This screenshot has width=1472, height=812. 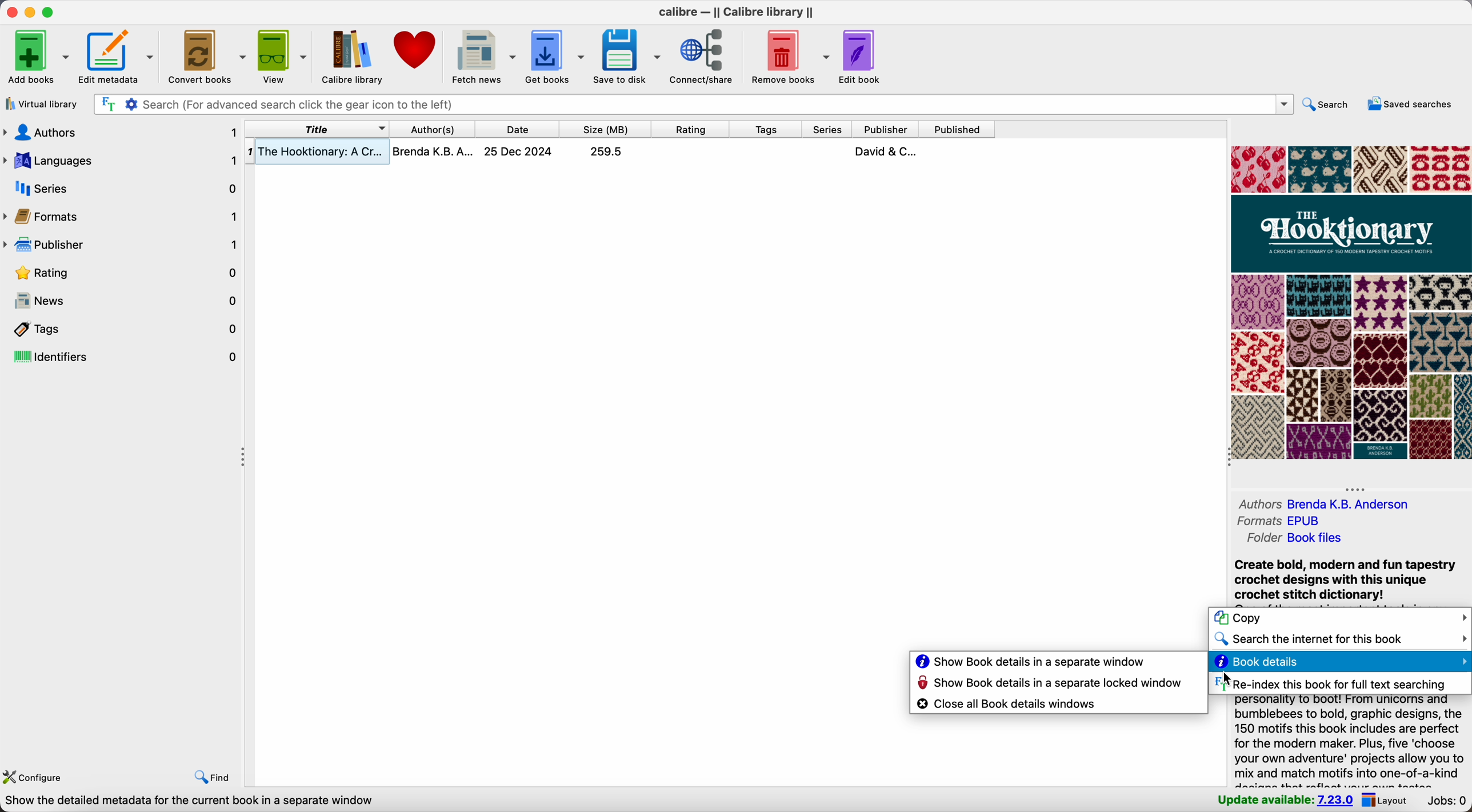 What do you see at coordinates (1339, 663) in the screenshot?
I see `click on book details` at bounding box center [1339, 663].